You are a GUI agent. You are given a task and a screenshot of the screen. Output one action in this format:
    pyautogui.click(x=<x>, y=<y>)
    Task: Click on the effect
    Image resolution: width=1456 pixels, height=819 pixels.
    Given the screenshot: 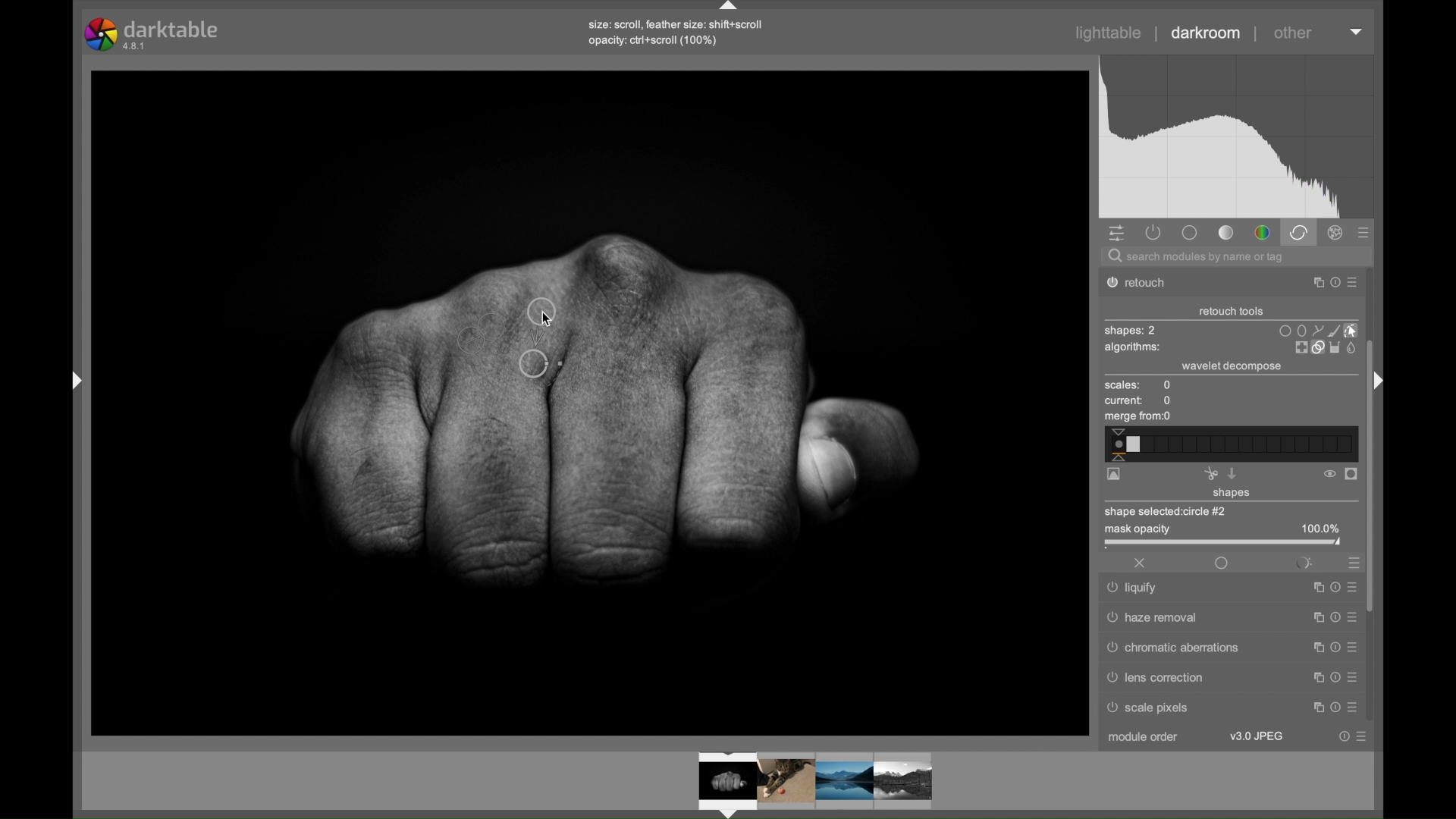 What is the action you would take?
    pyautogui.click(x=1336, y=233)
    